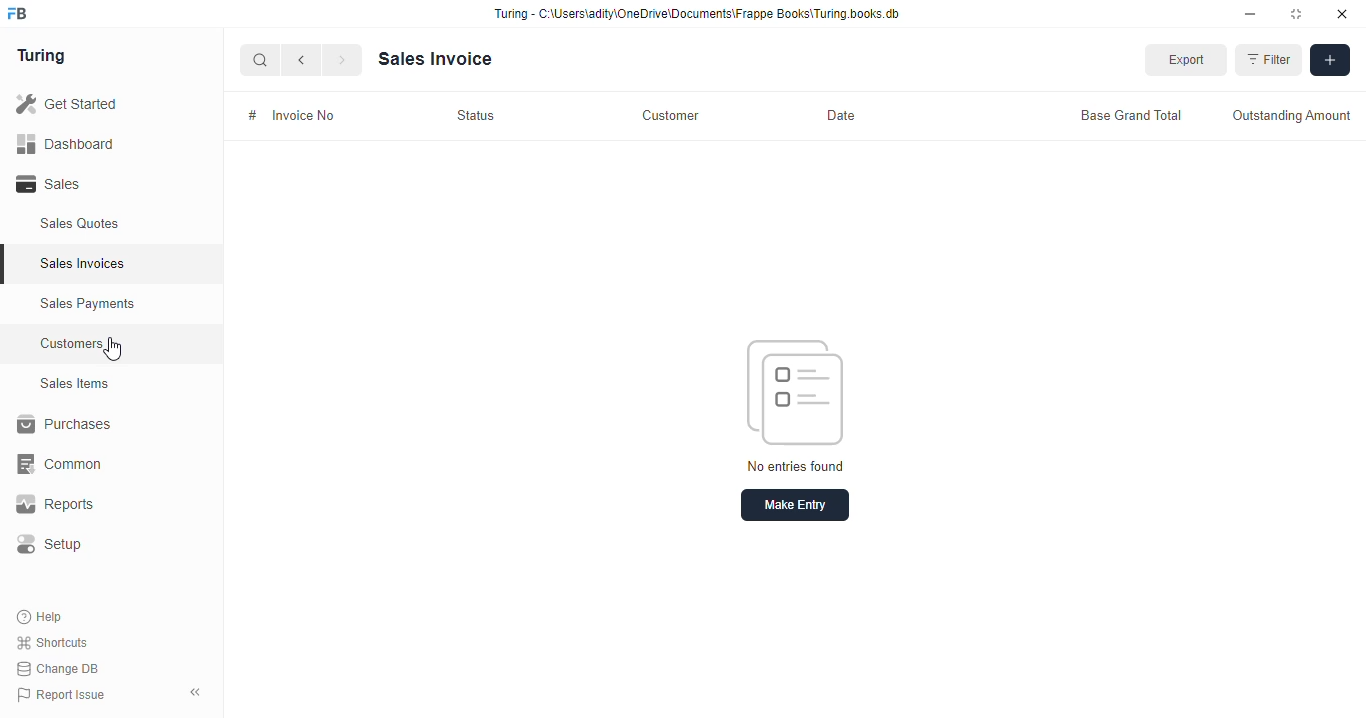  Describe the element at coordinates (118, 304) in the screenshot. I see `Sales Payments` at that location.